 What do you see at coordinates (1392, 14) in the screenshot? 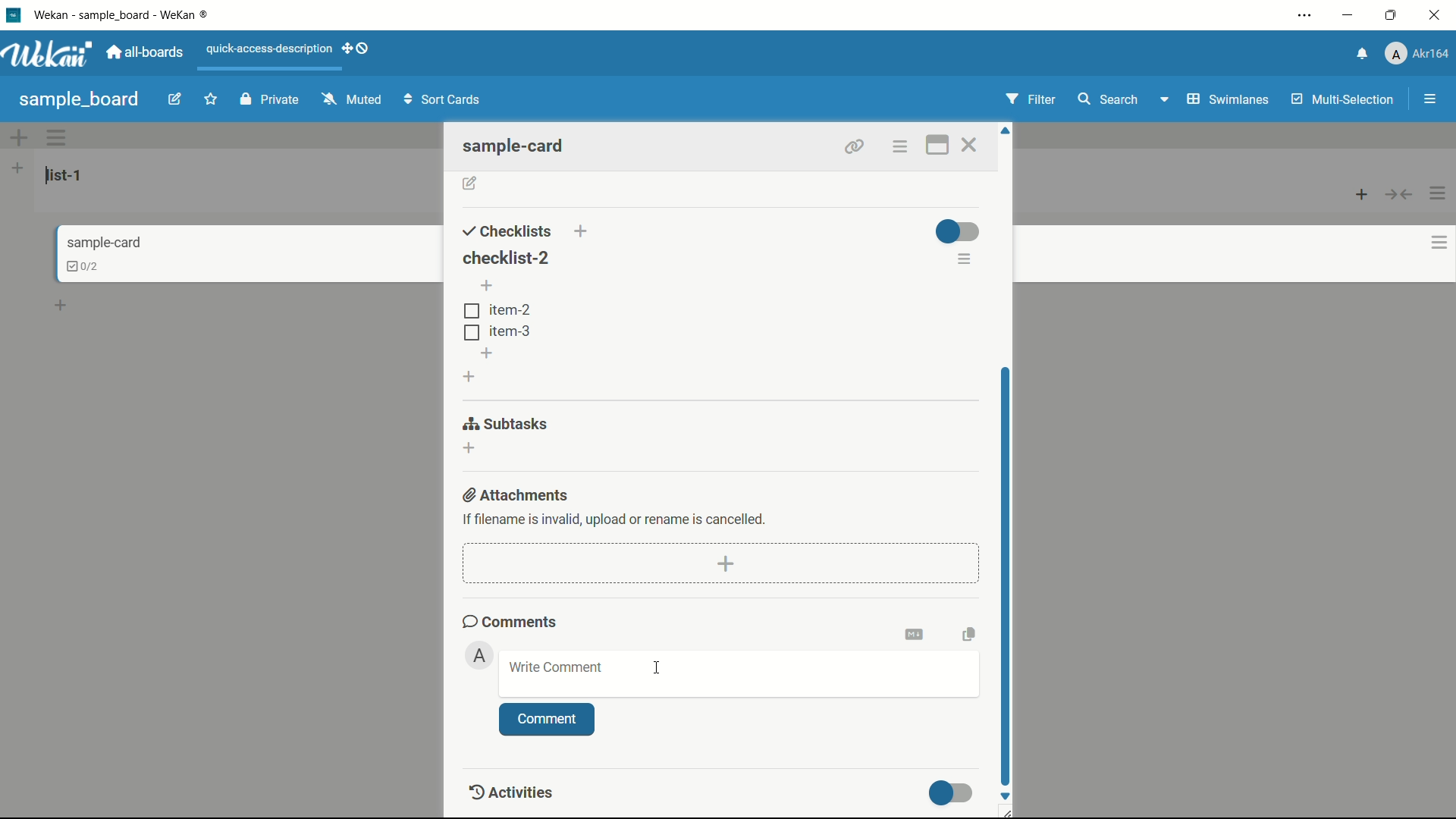
I see `maximize` at bounding box center [1392, 14].